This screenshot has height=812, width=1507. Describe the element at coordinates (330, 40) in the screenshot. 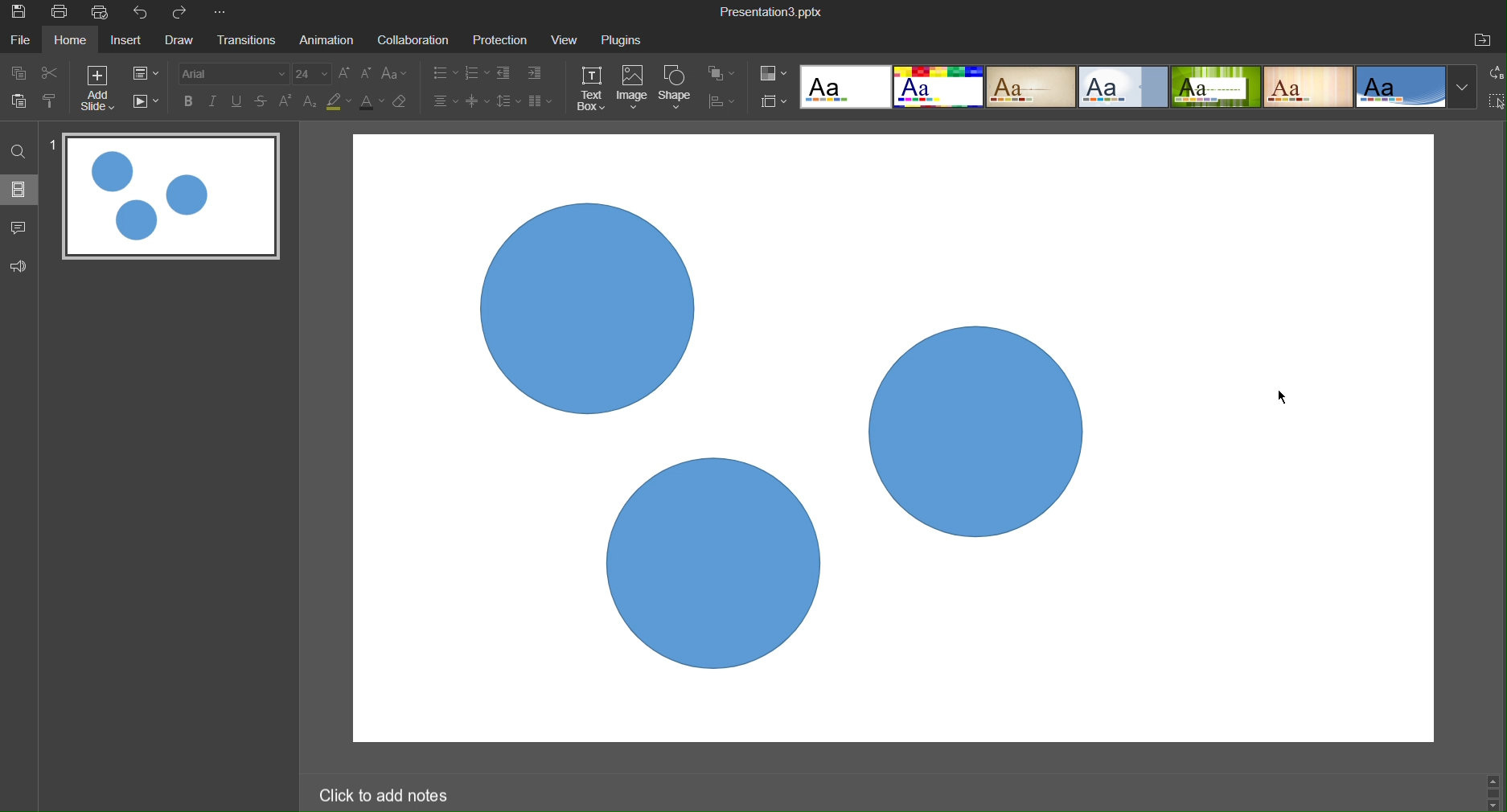

I see `Animation` at that location.